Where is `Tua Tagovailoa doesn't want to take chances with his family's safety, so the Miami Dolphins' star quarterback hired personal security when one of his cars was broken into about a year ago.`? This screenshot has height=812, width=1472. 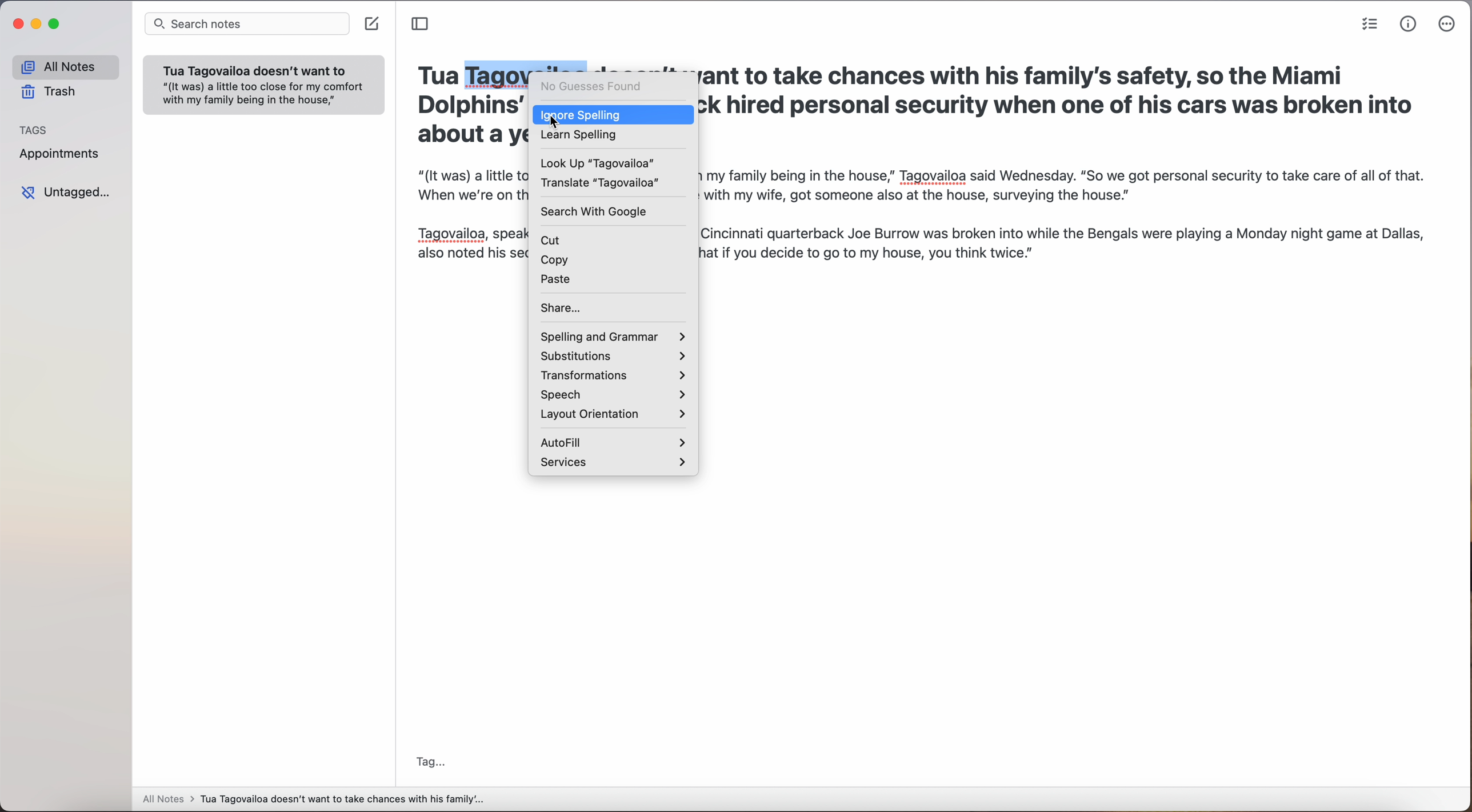
Tua Tagovailoa doesn't want to take chances with his family's safety, so the Miami Dolphins' star quarterback hired personal security when one of his cars was broken into about a year ago. is located at coordinates (1058, 104).